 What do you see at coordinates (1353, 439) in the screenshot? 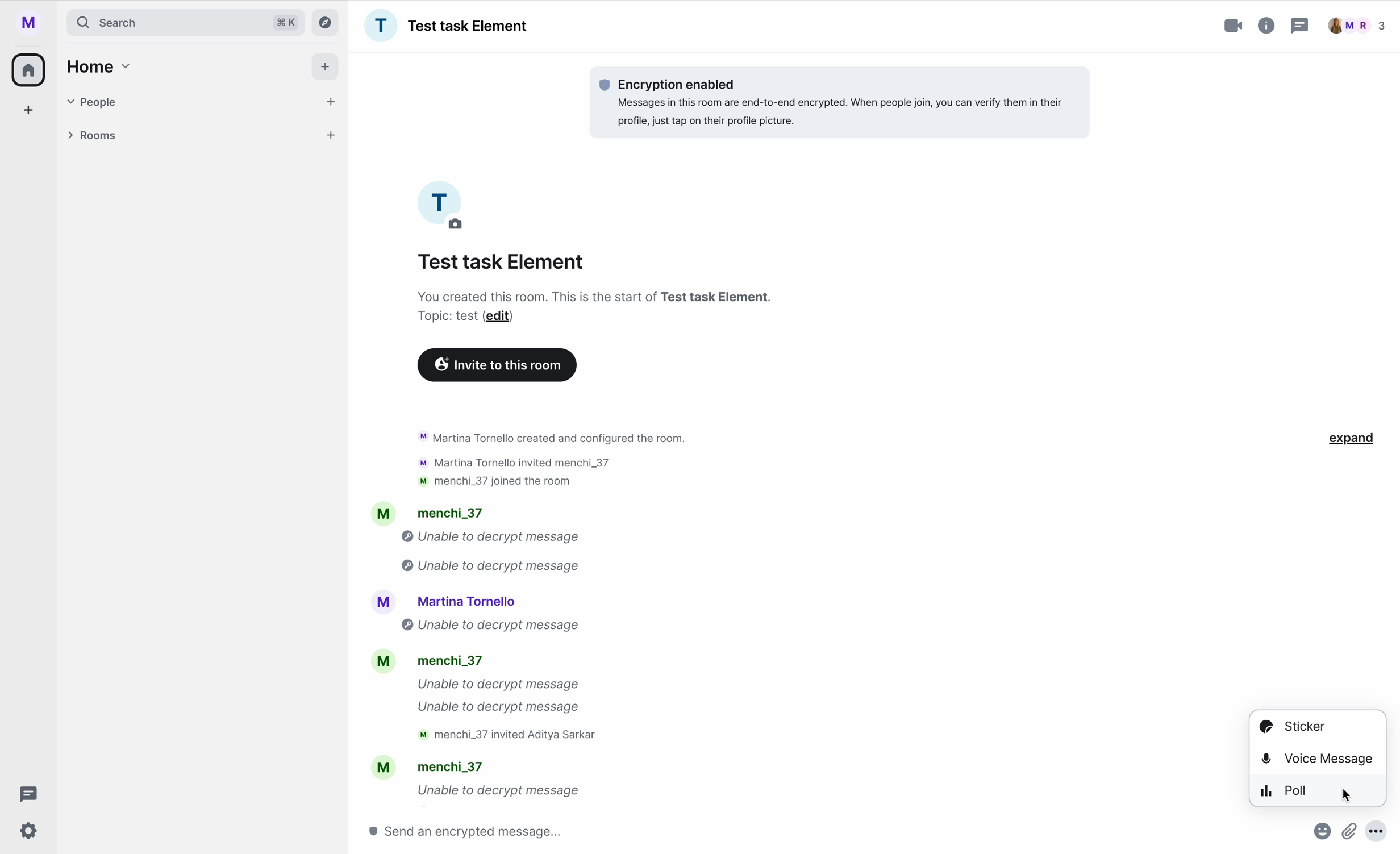
I see `expand` at bounding box center [1353, 439].